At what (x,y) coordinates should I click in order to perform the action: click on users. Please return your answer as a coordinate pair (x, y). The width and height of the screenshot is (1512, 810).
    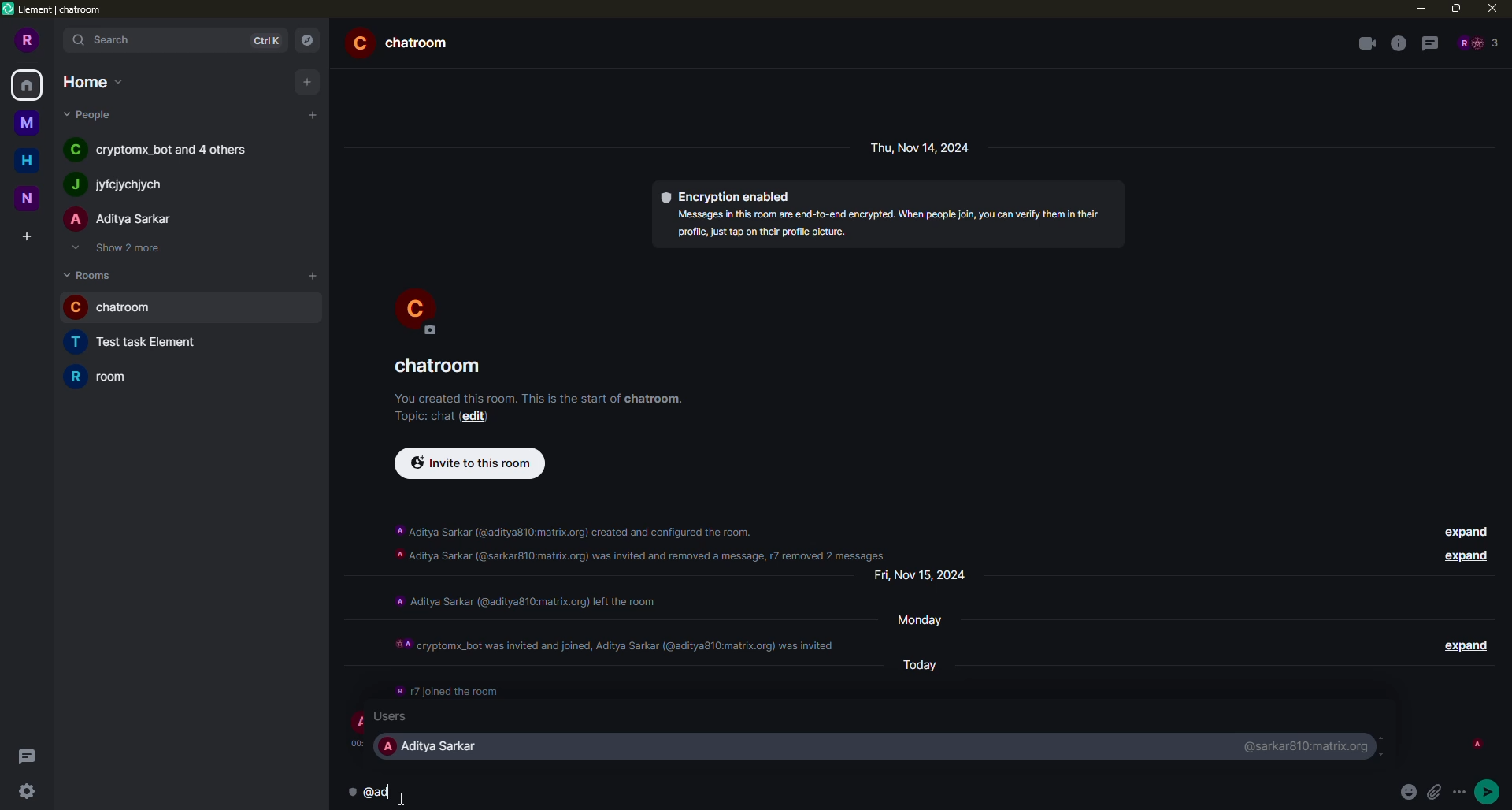
    Looking at the image, I should click on (403, 717).